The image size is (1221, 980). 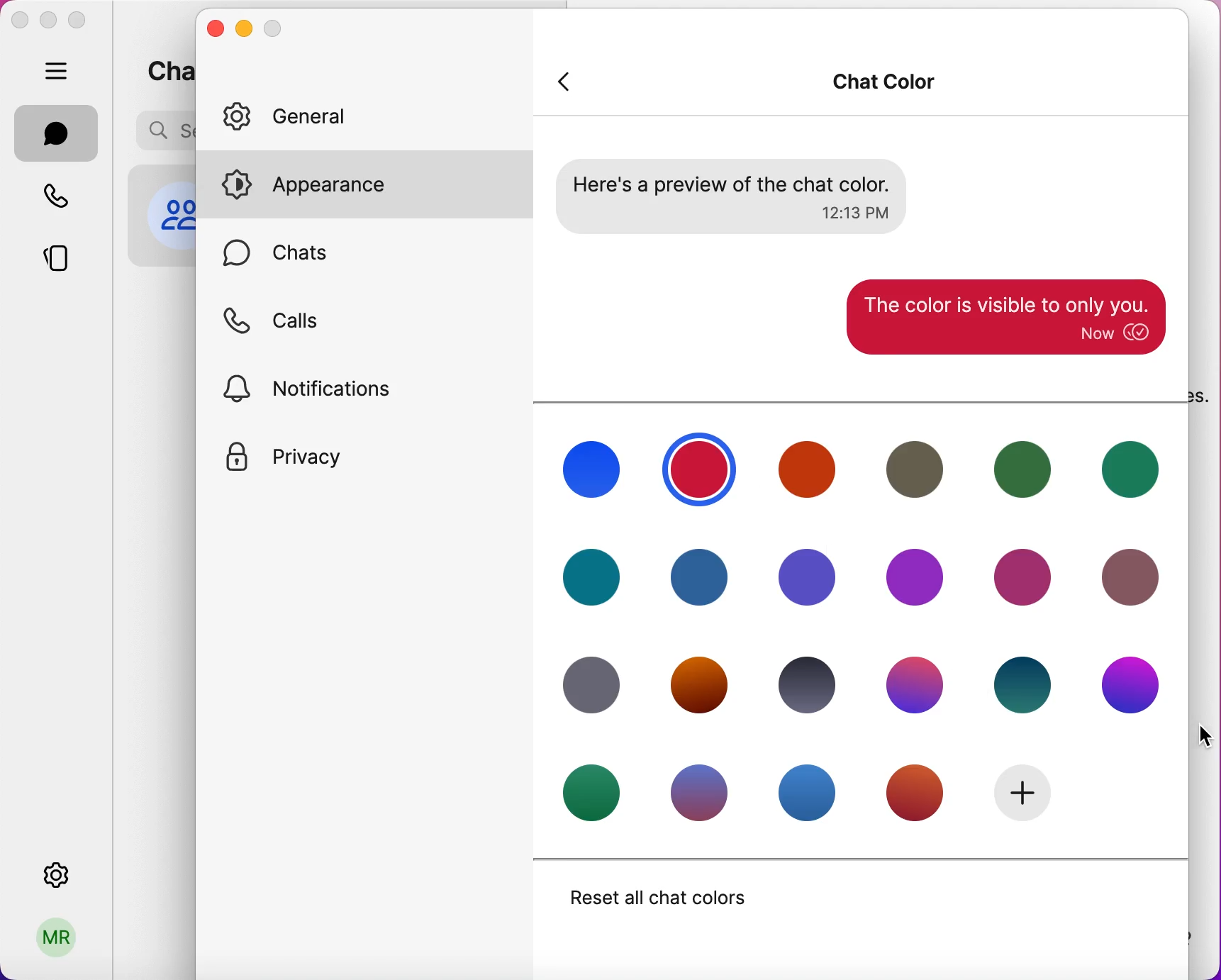 I want to click on general, so click(x=323, y=116).